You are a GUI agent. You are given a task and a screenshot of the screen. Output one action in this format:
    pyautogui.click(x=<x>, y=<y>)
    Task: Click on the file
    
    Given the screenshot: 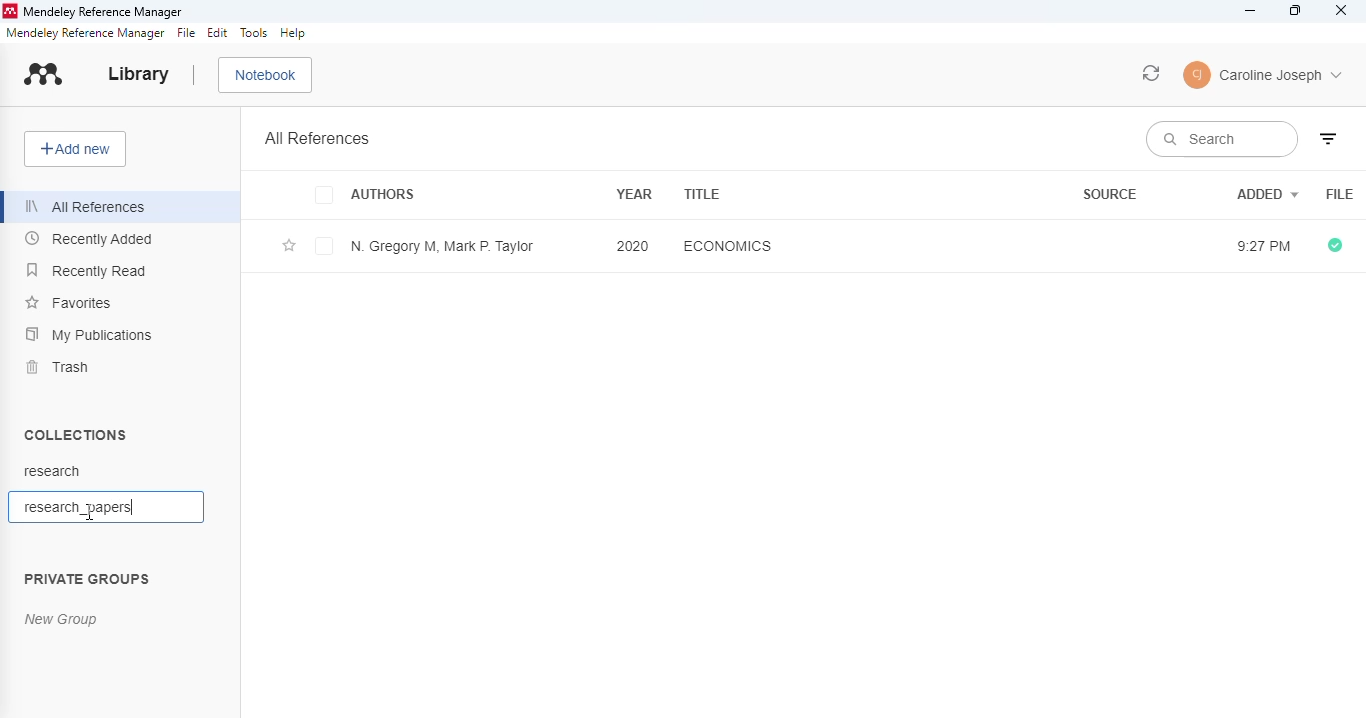 What is the action you would take?
    pyautogui.click(x=1340, y=195)
    